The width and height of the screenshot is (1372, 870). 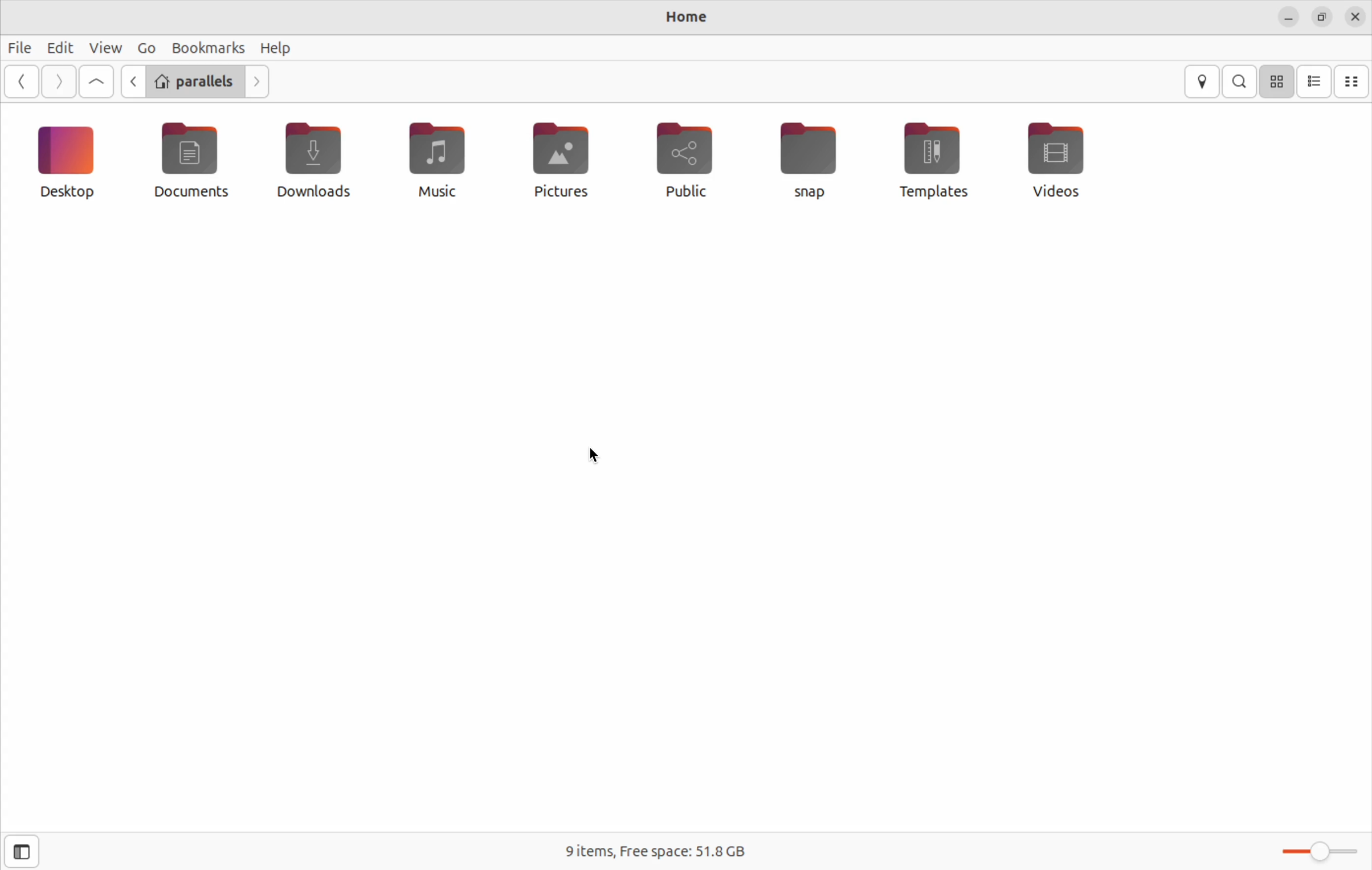 What do you see at coordinates (548, 162) in the screenshot?
I see `pictures` at bounding box center [548, 162].